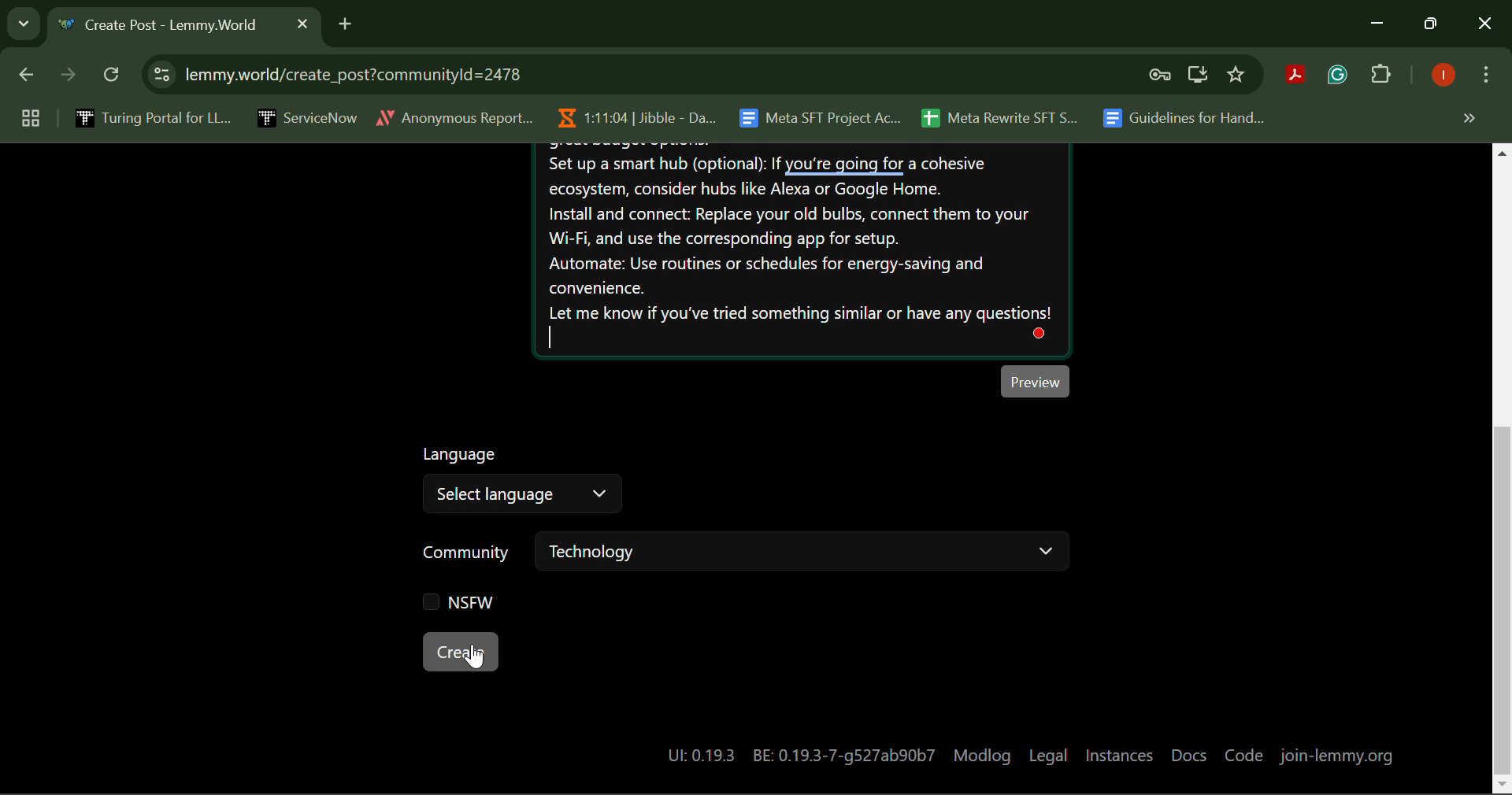  Describe the element at coordinates (20, 21) in the screenshot. I see `Search Tabs` at that location.